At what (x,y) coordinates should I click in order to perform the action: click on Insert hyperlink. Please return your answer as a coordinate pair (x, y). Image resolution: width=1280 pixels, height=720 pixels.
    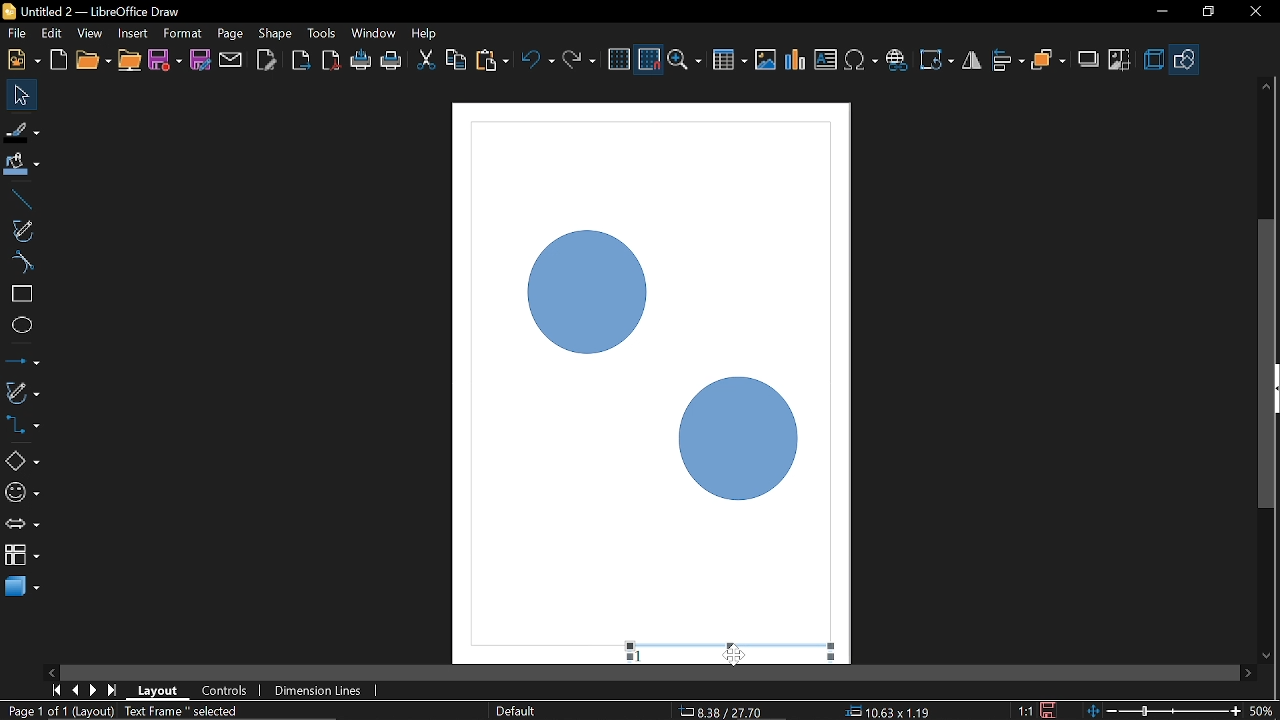
    Looking at the image, I should click on (897, 60).